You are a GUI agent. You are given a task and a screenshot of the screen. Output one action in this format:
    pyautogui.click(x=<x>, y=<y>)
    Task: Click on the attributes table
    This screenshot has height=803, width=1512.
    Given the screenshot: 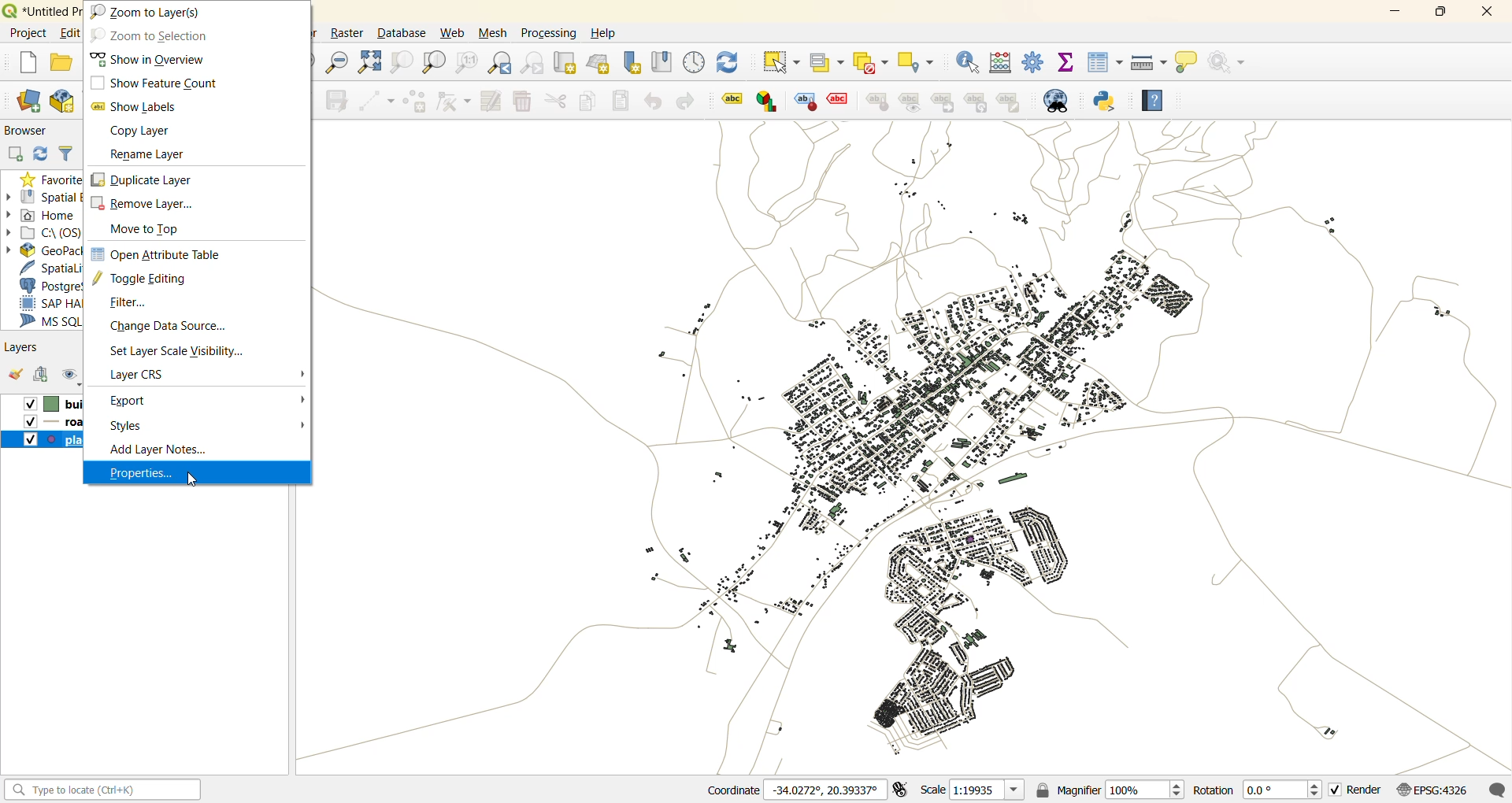 What is the action you would take?
    pyautogui.click(x=1103, y=63)
    